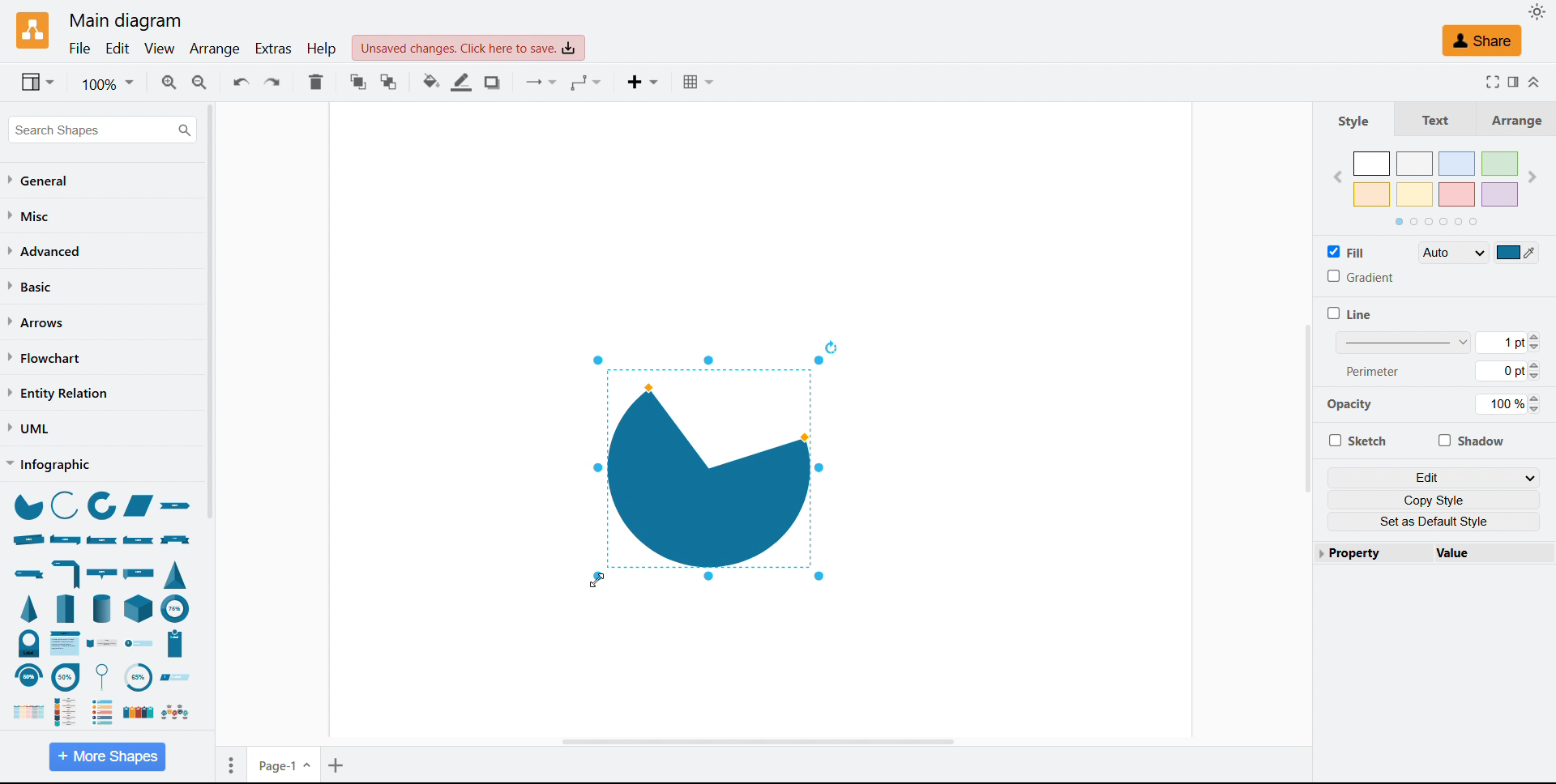 This screenshot has width=1556, height=784. Describe the element at coordinates (1307, 408) in the screenshot. I see `Vertical scrollbar` at that location.